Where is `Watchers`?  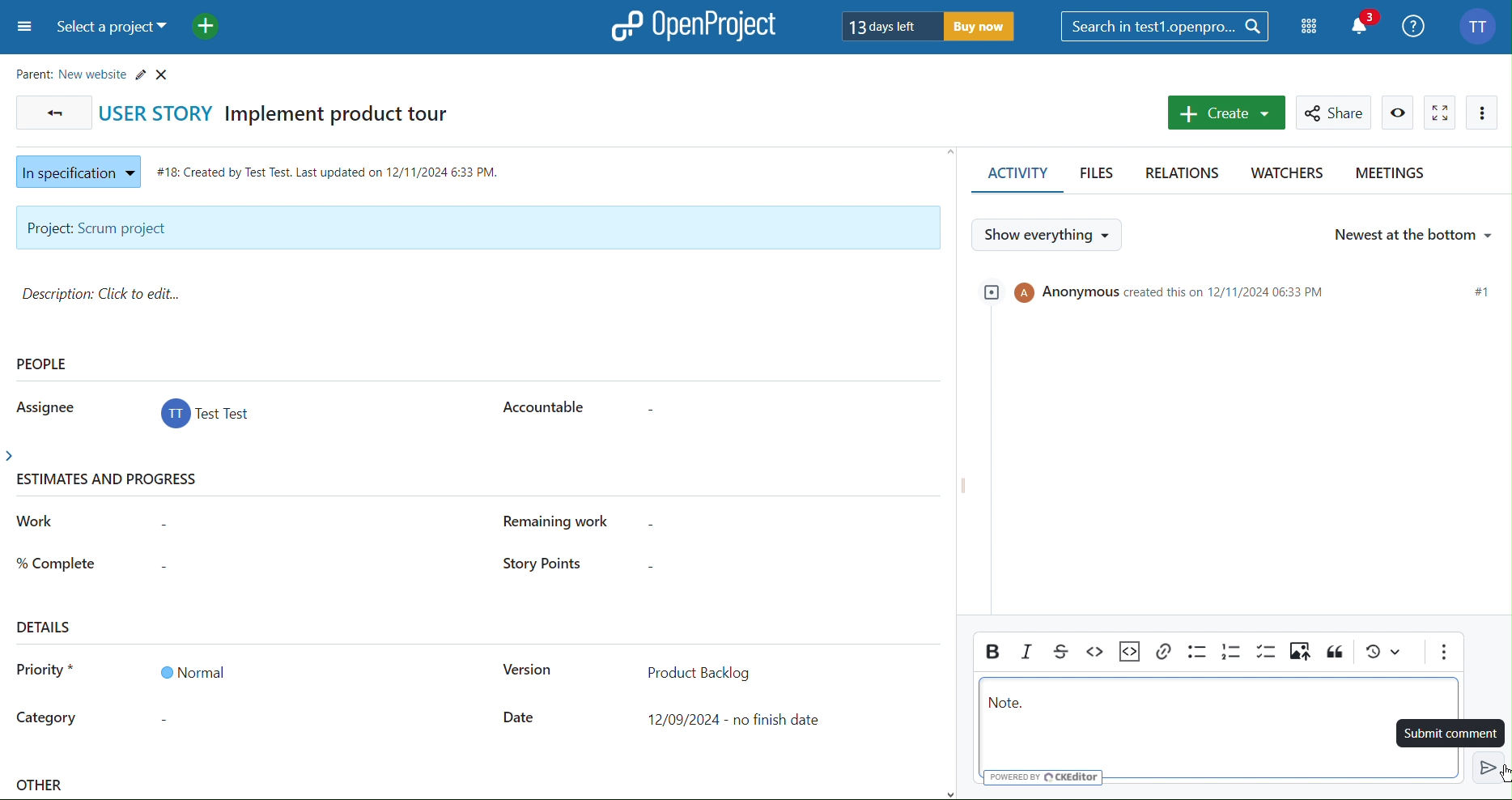 Watchers is located at coordinates (1285, 176).